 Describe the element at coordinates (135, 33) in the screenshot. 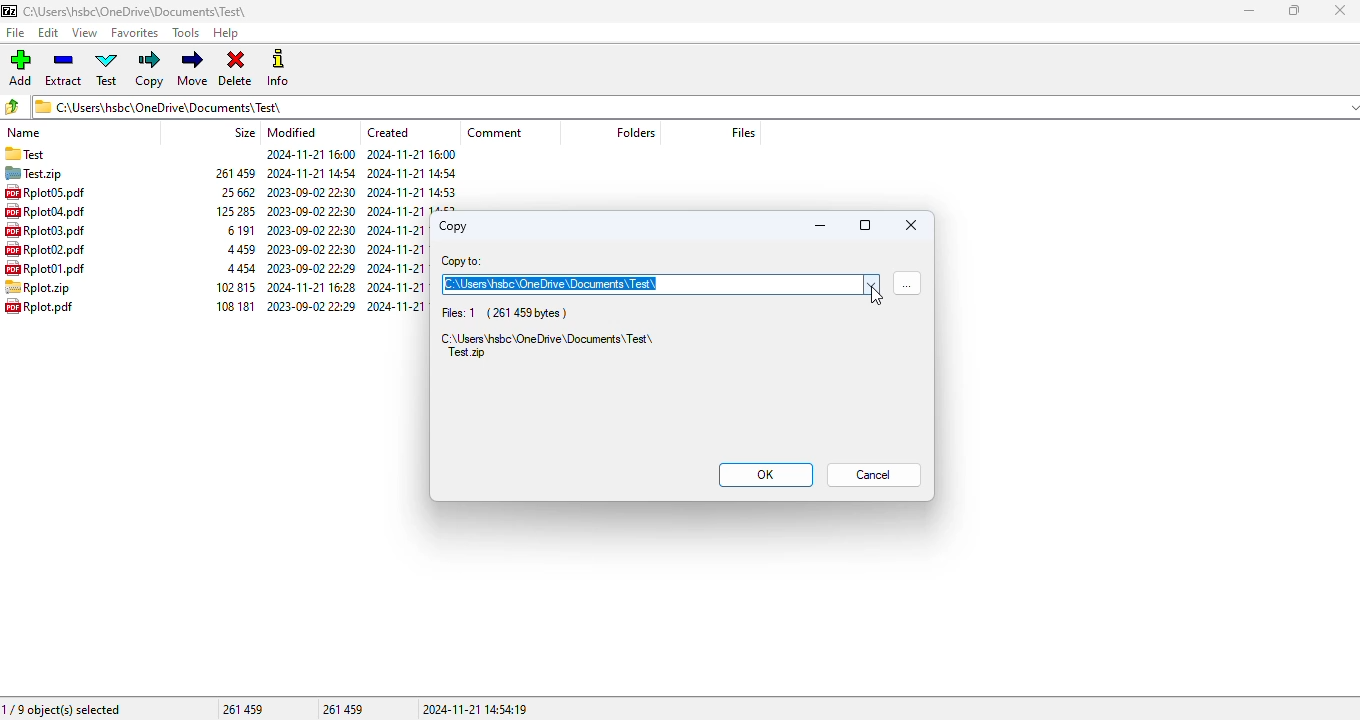

I see `favorites` at that location.